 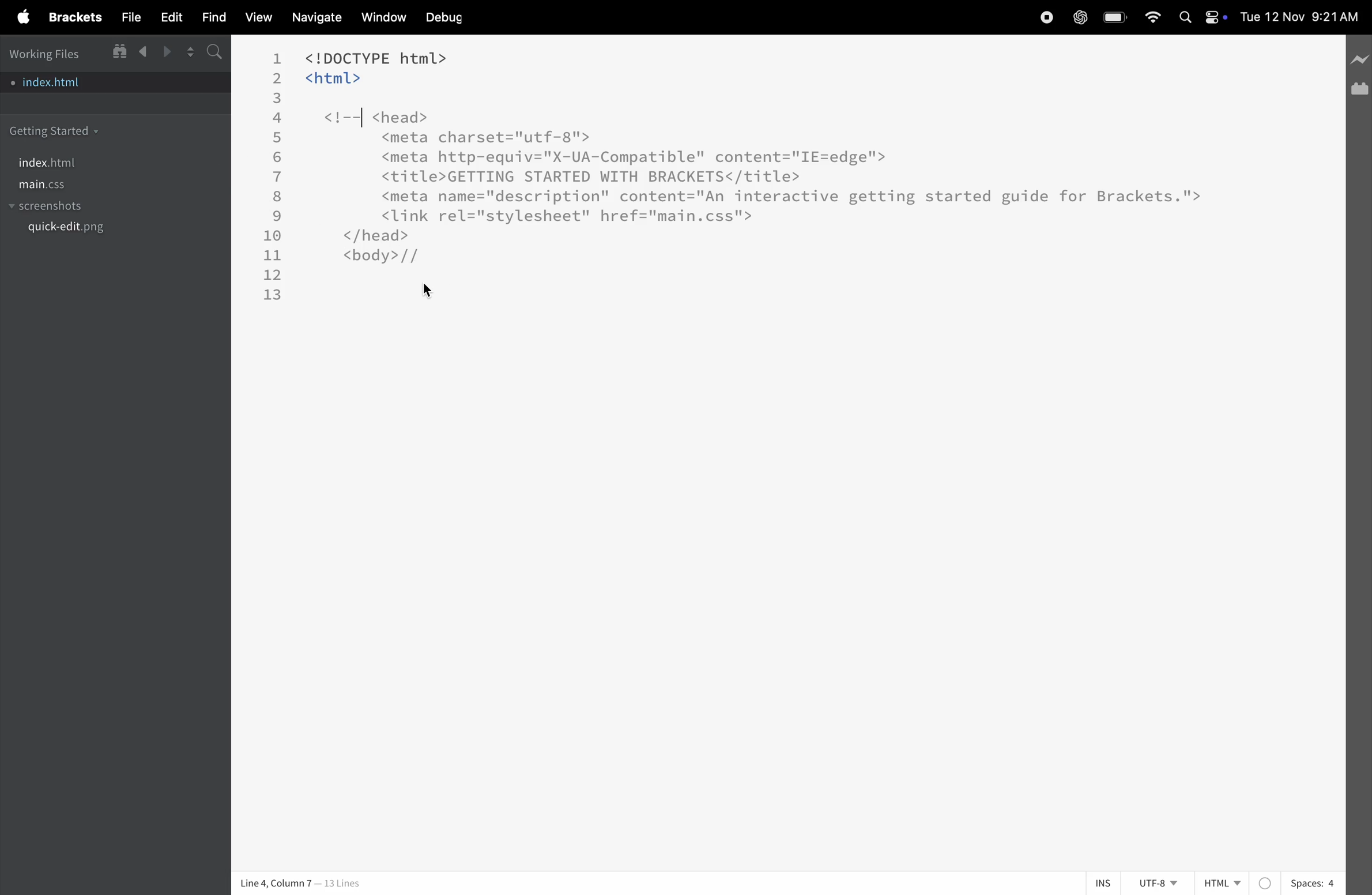 I want to click on ins, so click(x=1095, y=883).